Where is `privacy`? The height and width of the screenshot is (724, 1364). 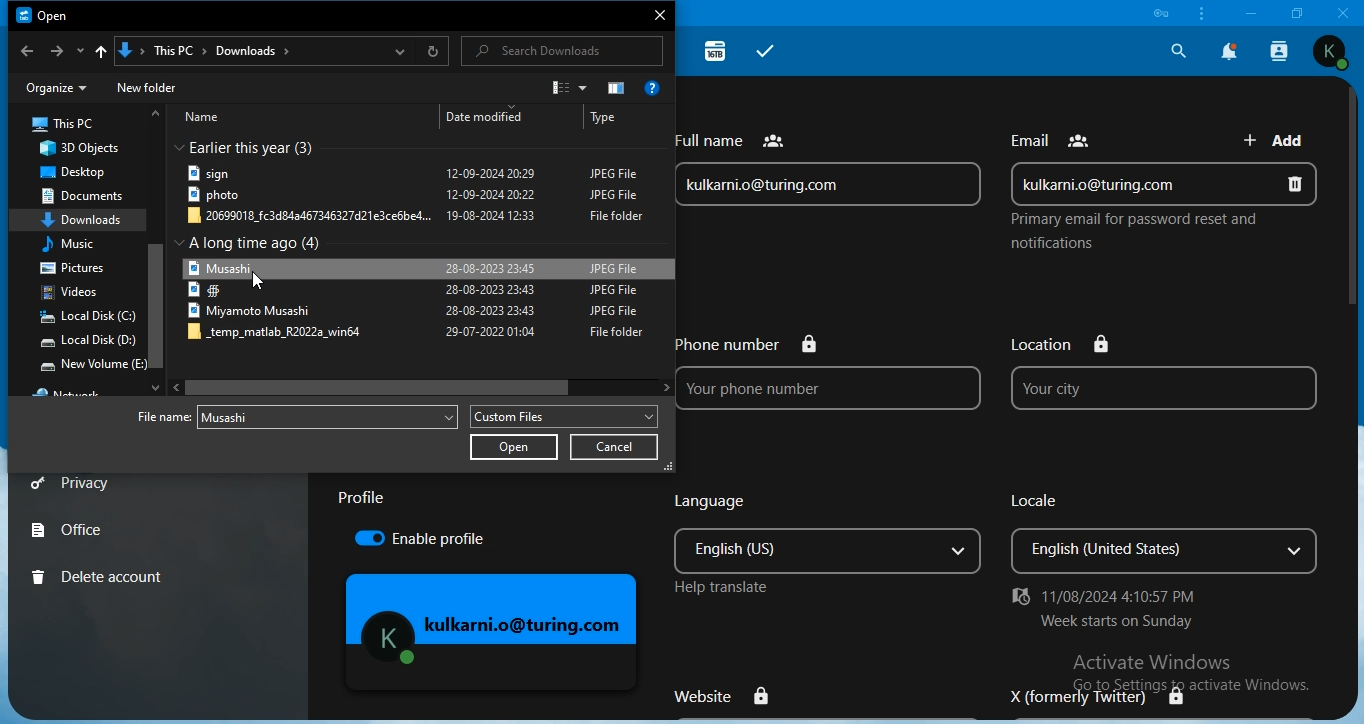 privacy is located at coordinates (76, 484).